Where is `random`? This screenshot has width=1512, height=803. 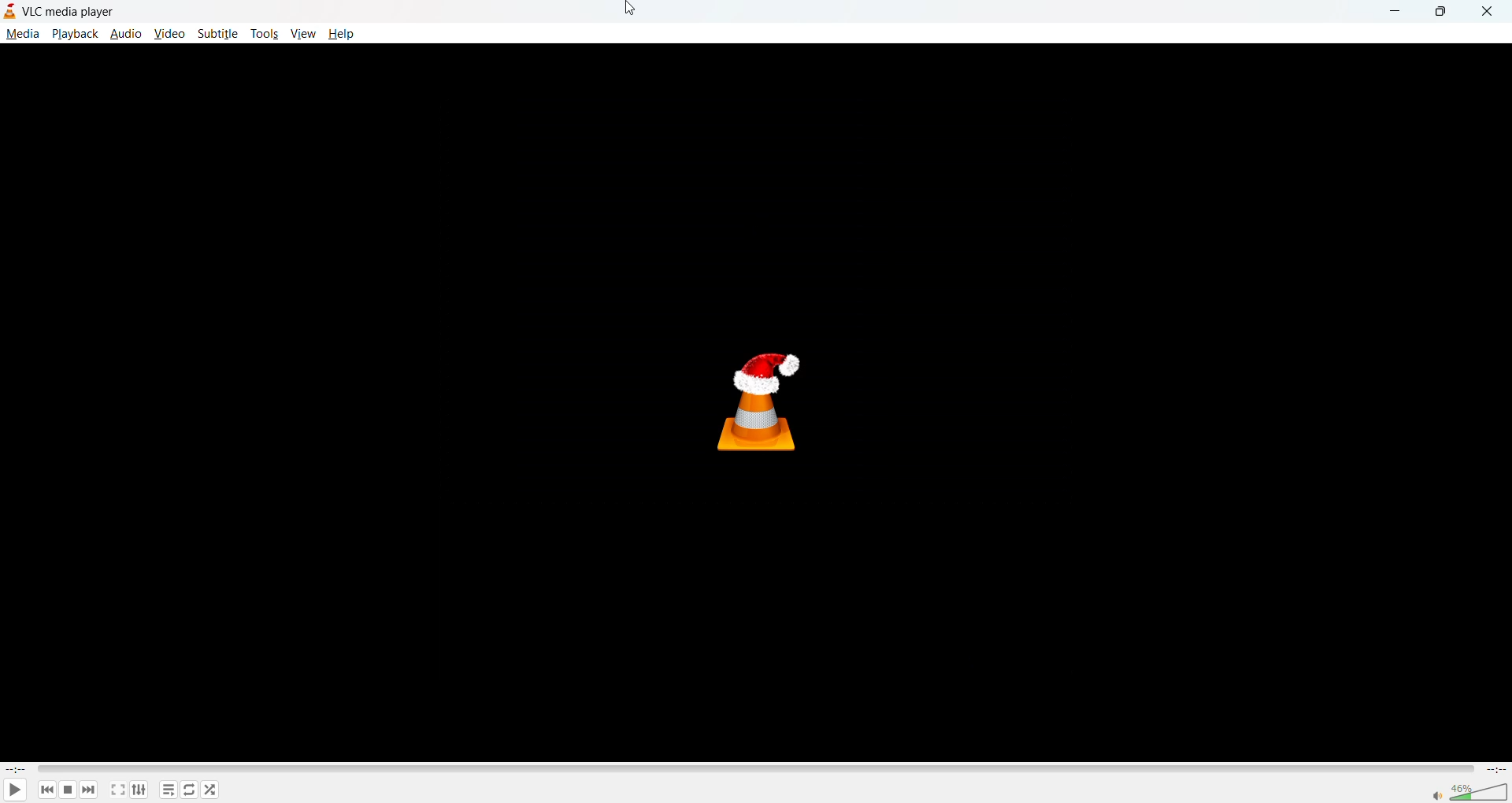 random is located at coordinates (208, 788).